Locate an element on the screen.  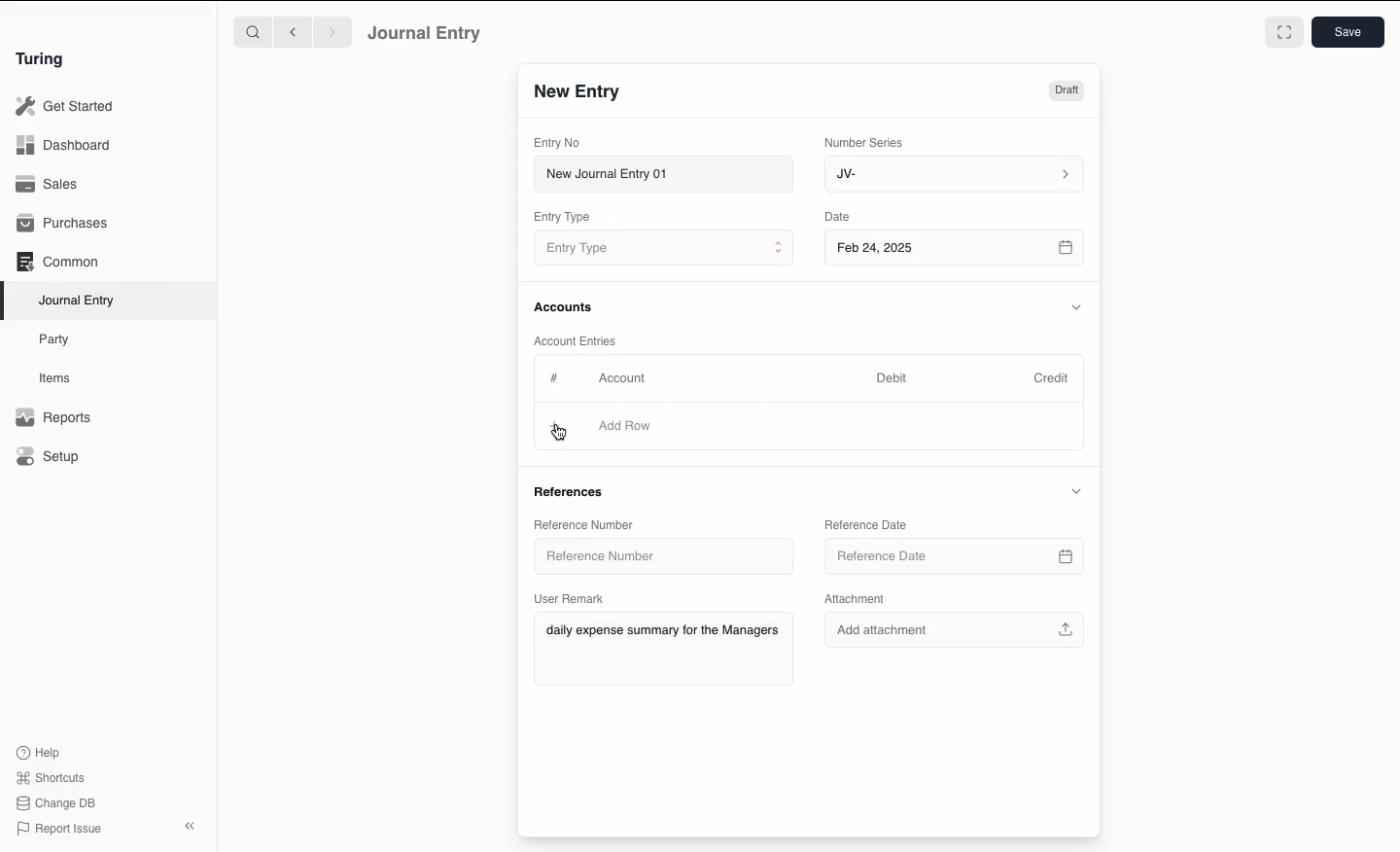
Report Issue is located at coordinates (61, 830).